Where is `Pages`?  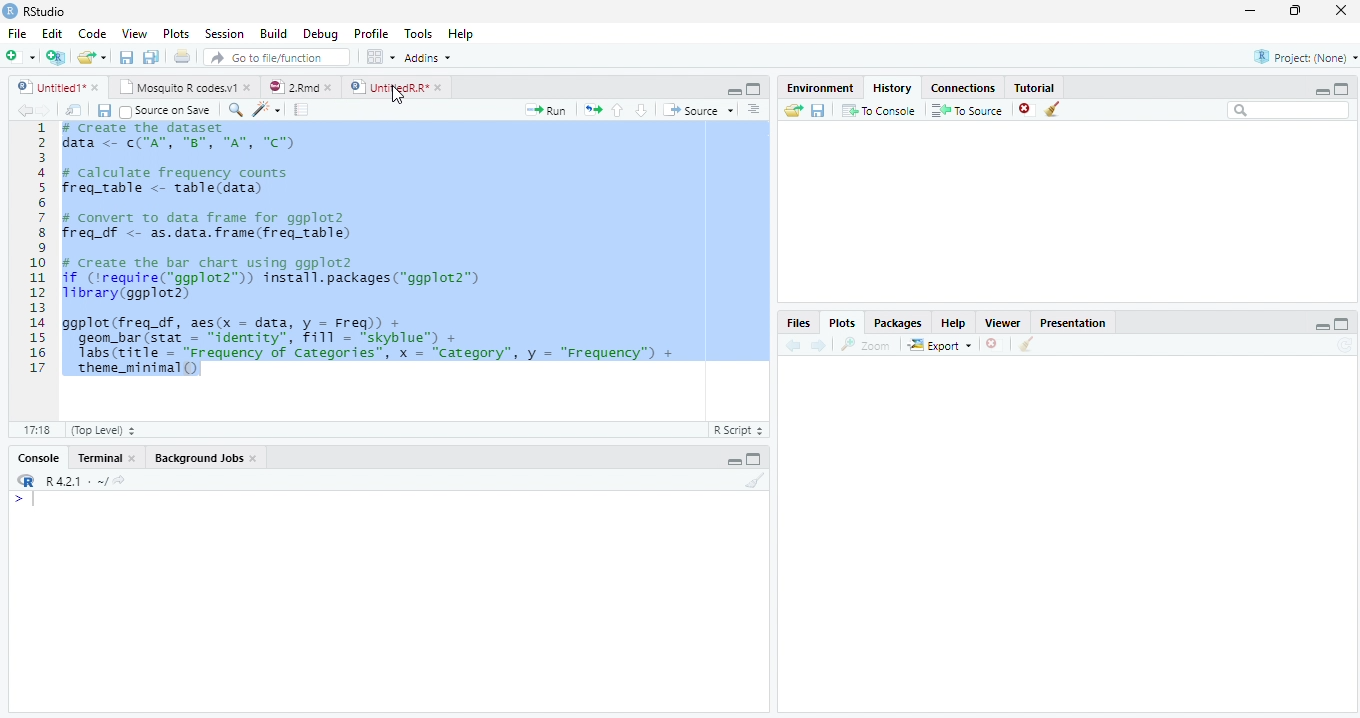
Pages is located at coordinates (301, 110).